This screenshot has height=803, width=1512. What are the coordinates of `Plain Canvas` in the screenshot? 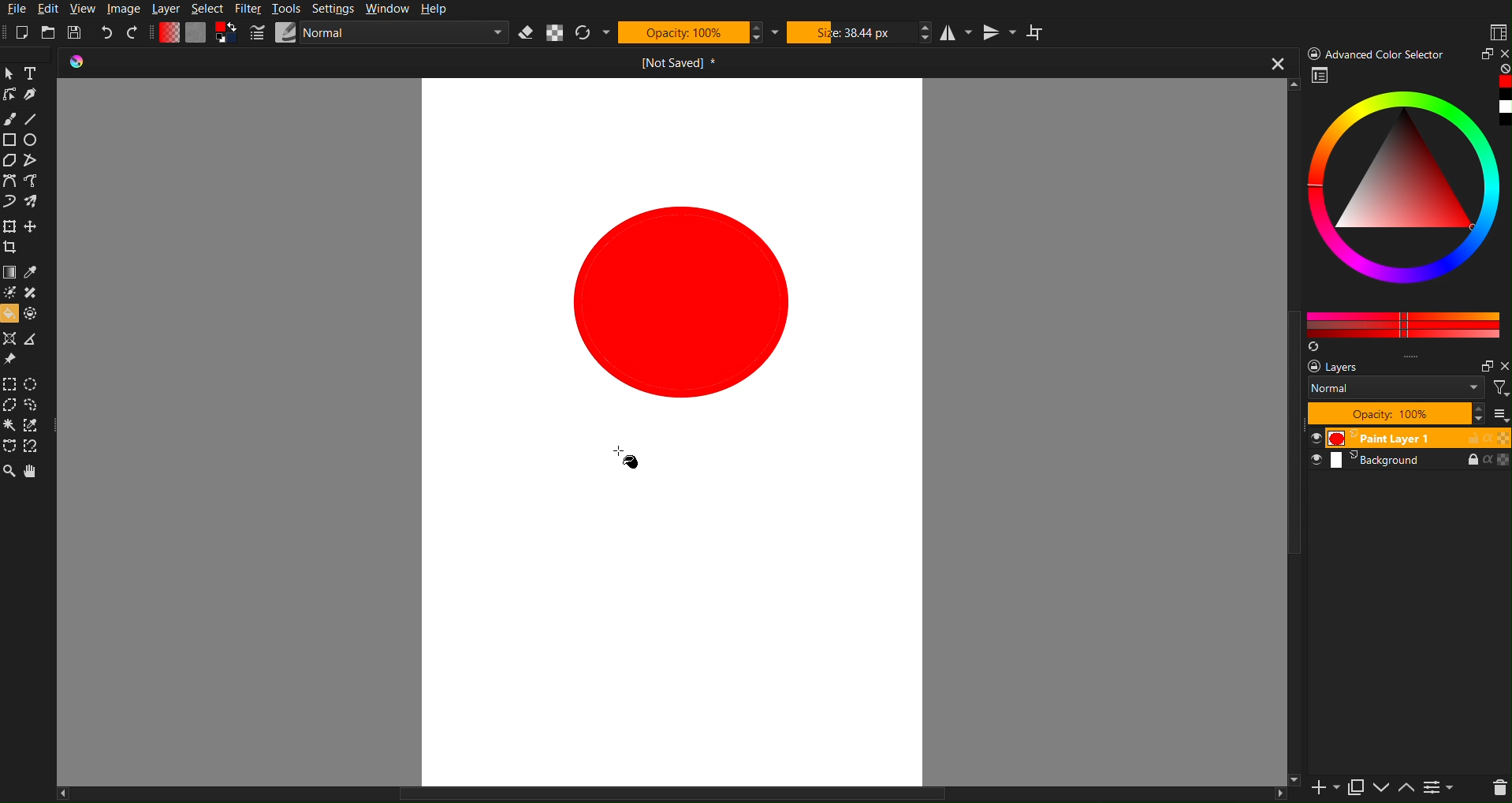 It's located at (196, 32).